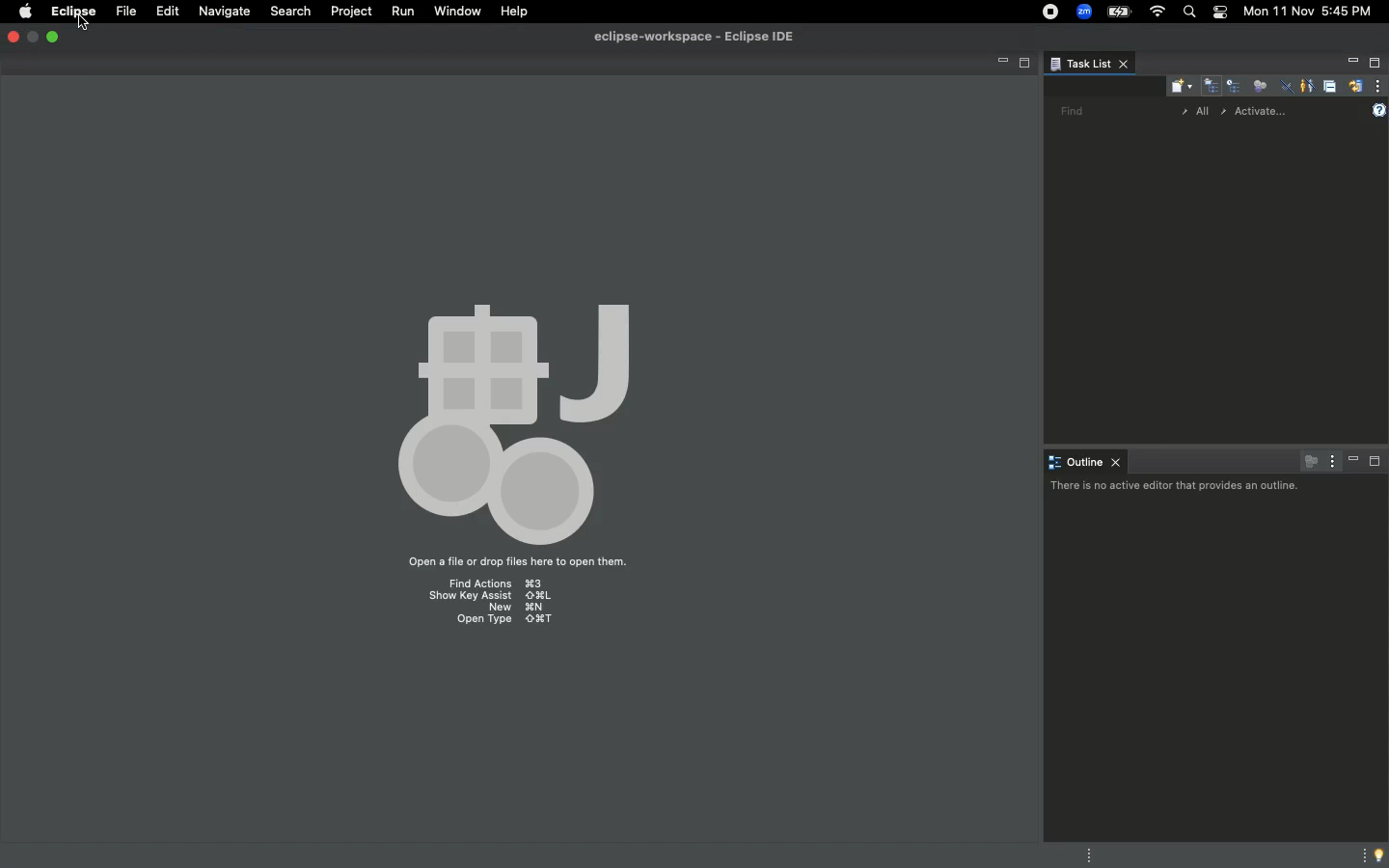  Describe the element at coordinates (1259, 84) in the screenshot. I see `Focus on workweek` at that location.